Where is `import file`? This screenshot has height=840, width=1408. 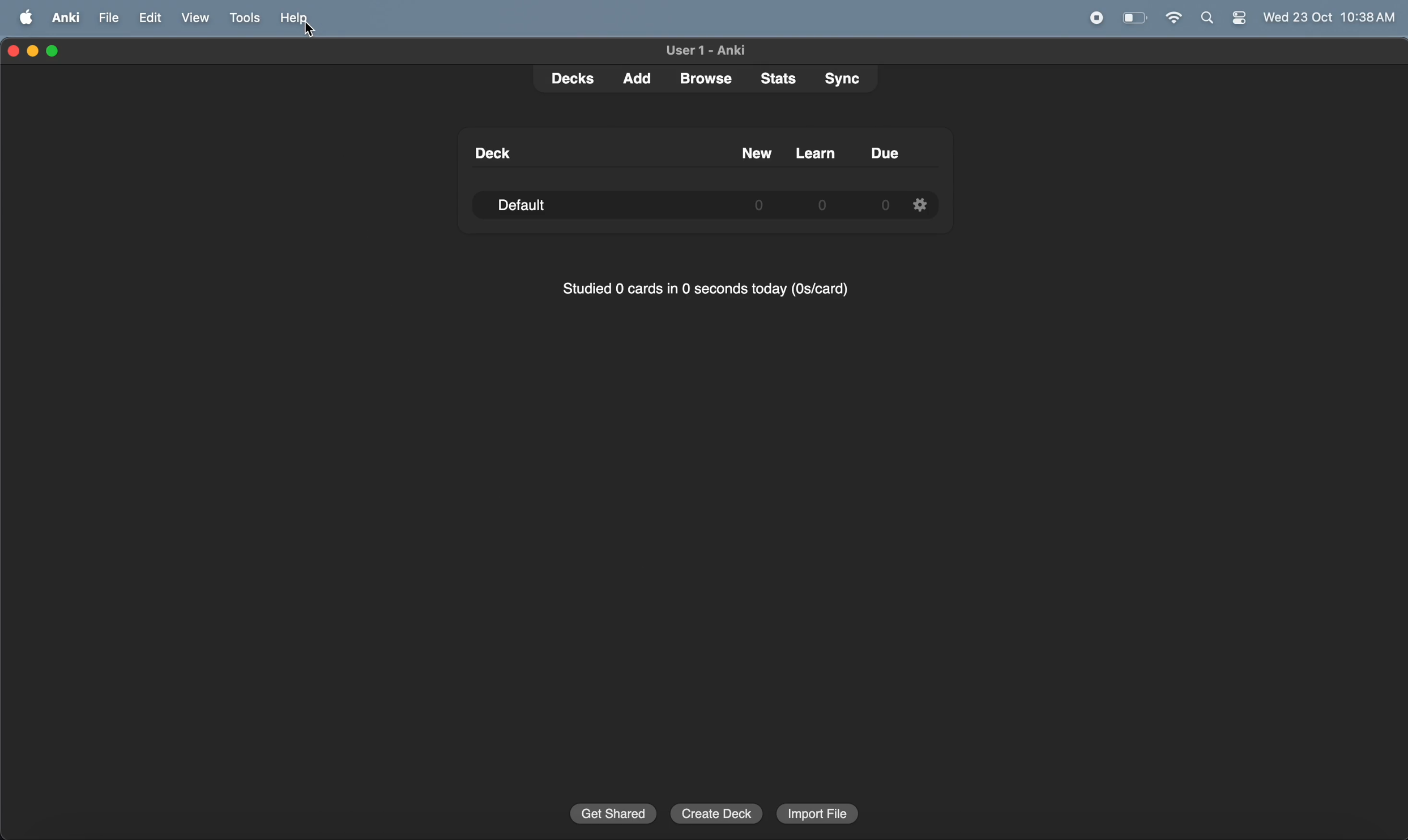 import file is located at coordinates (818, 813).